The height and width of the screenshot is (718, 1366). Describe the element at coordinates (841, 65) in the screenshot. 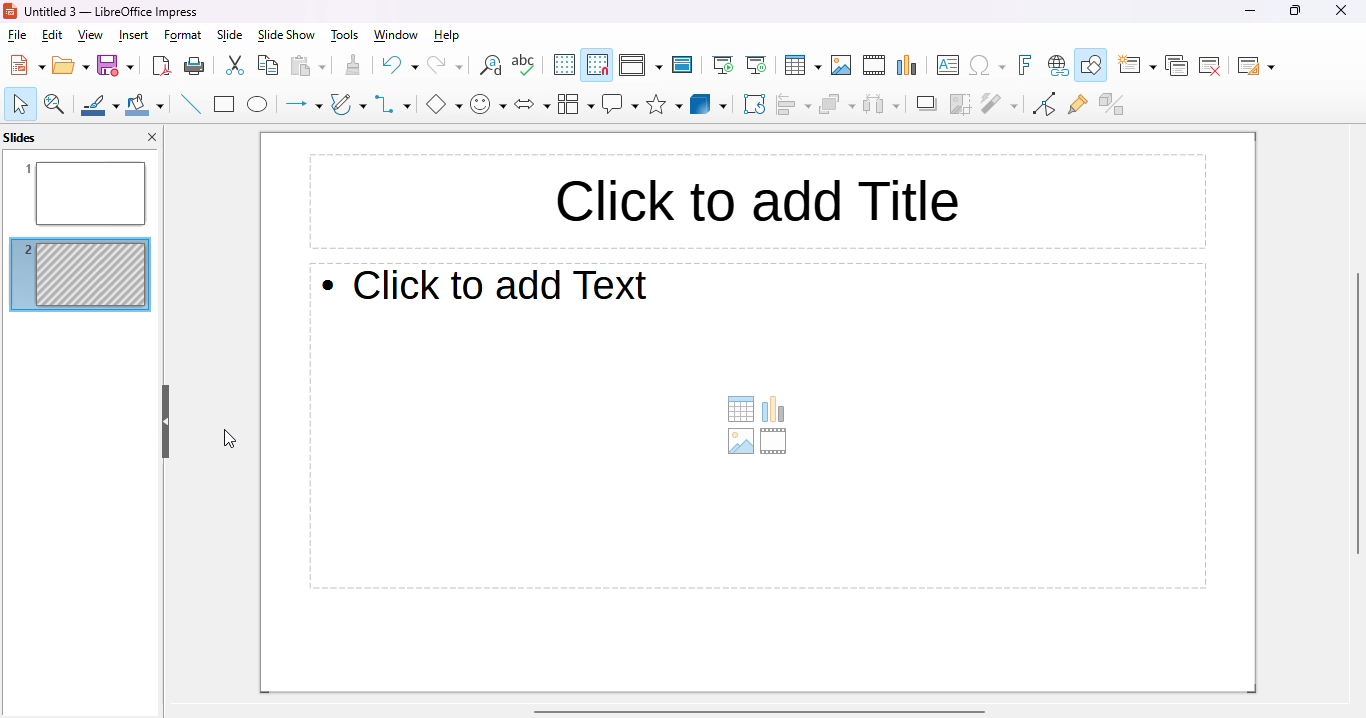

I see `insert image` at that location.